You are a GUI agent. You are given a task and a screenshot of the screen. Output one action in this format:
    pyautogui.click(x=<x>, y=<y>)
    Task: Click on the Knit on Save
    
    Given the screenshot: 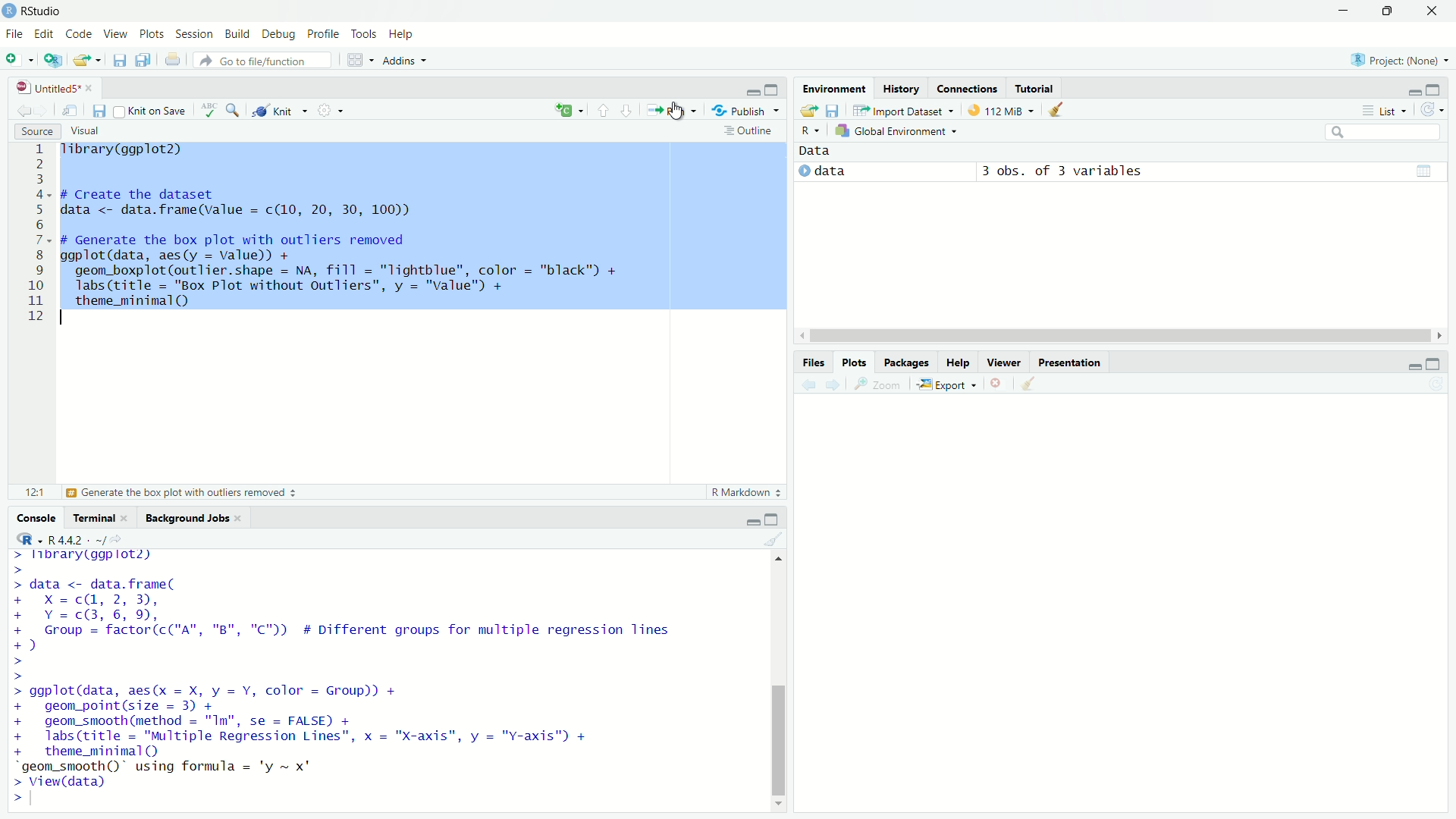 What is the action you would take?
    pyautogui.click(x=149, y=112)
    